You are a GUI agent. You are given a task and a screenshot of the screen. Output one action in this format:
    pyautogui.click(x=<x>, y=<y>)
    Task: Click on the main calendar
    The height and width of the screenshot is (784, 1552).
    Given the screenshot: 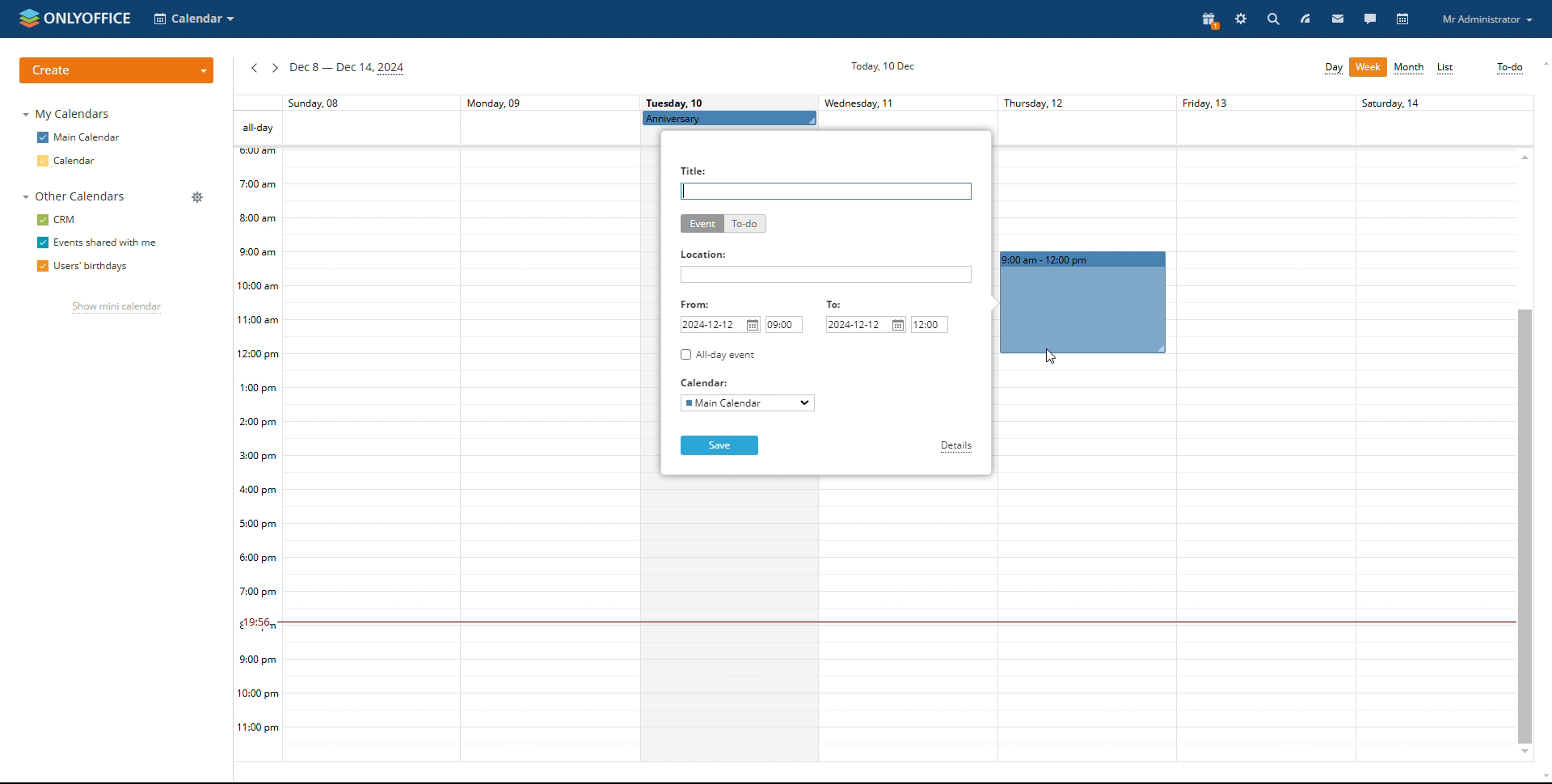 What is the action you would take?
    pyautogui.click(x=90, y=138)
    